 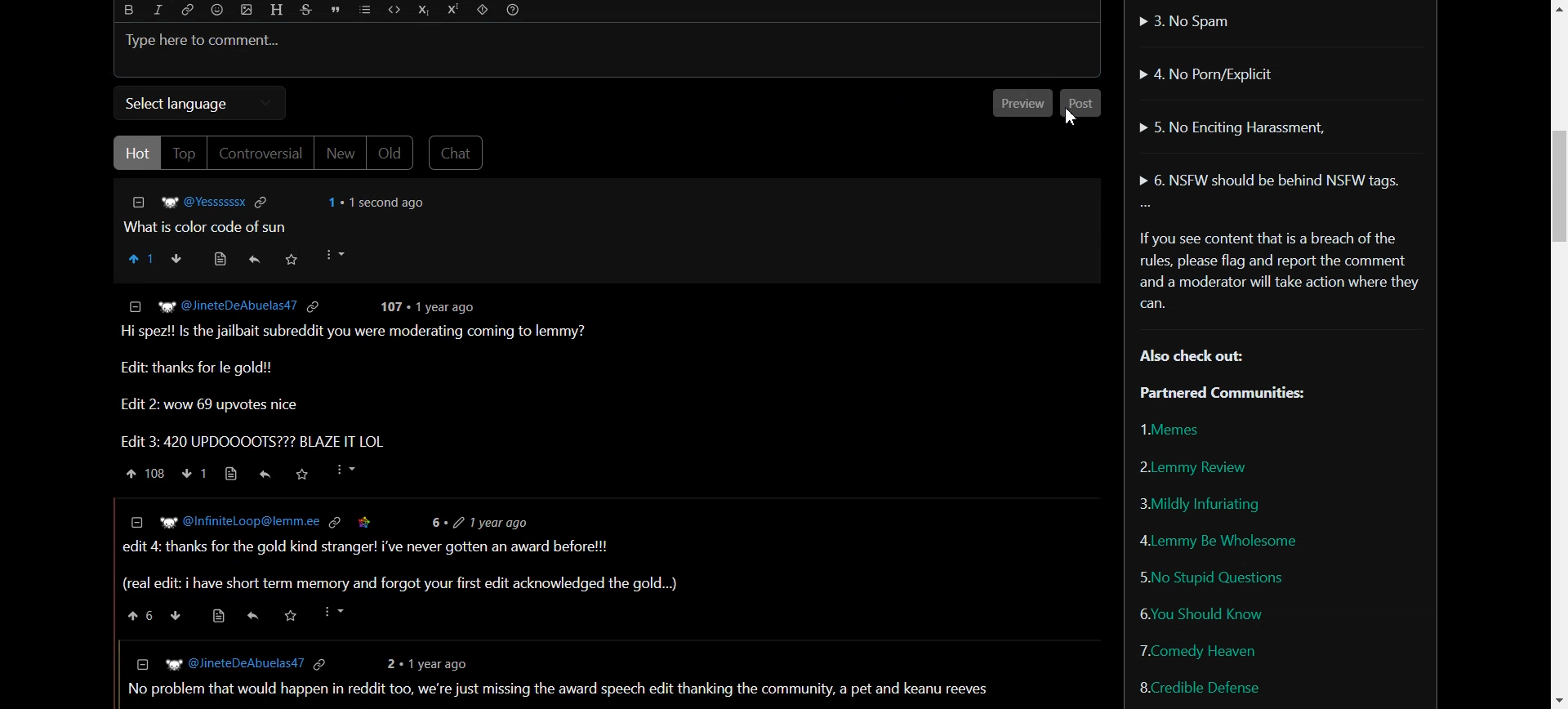 I want to click on Credible Defense, so click(x=1195, y=686).